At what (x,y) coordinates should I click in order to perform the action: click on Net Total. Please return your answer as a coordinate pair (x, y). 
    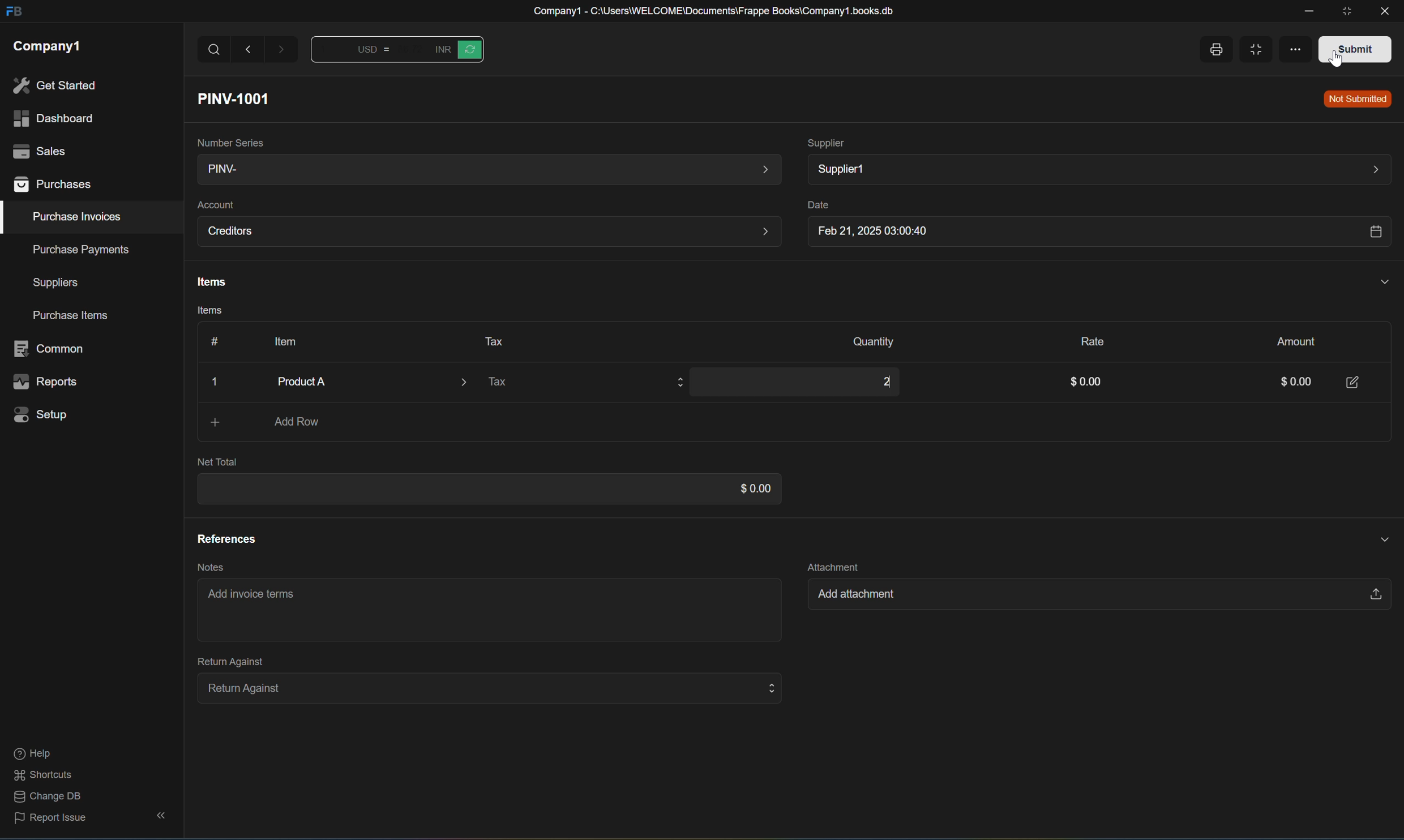
    Looking at the image, I should click on (217, 462).